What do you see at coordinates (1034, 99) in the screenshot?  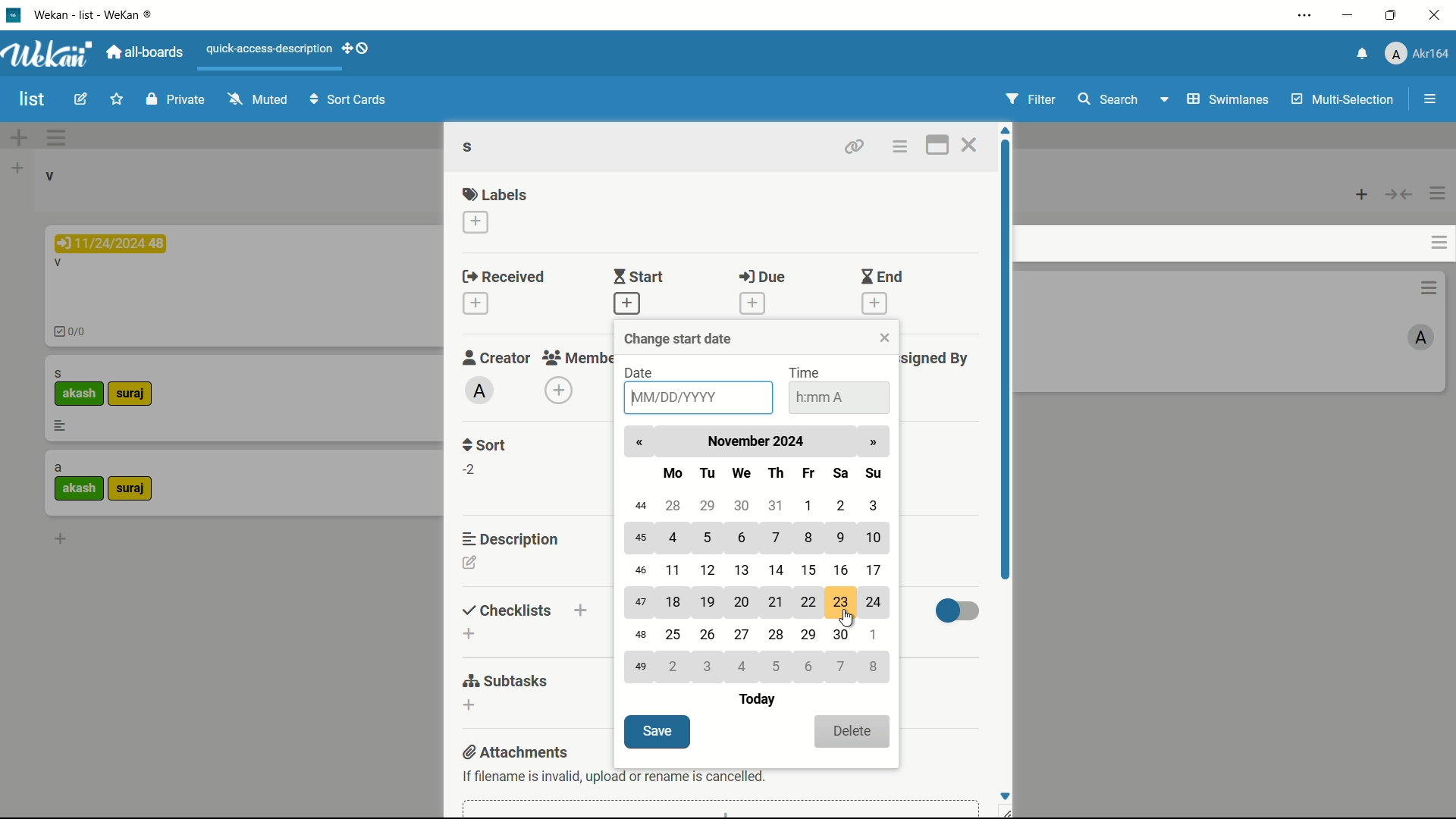 I see `filter` at bounding box center [1034, 99].